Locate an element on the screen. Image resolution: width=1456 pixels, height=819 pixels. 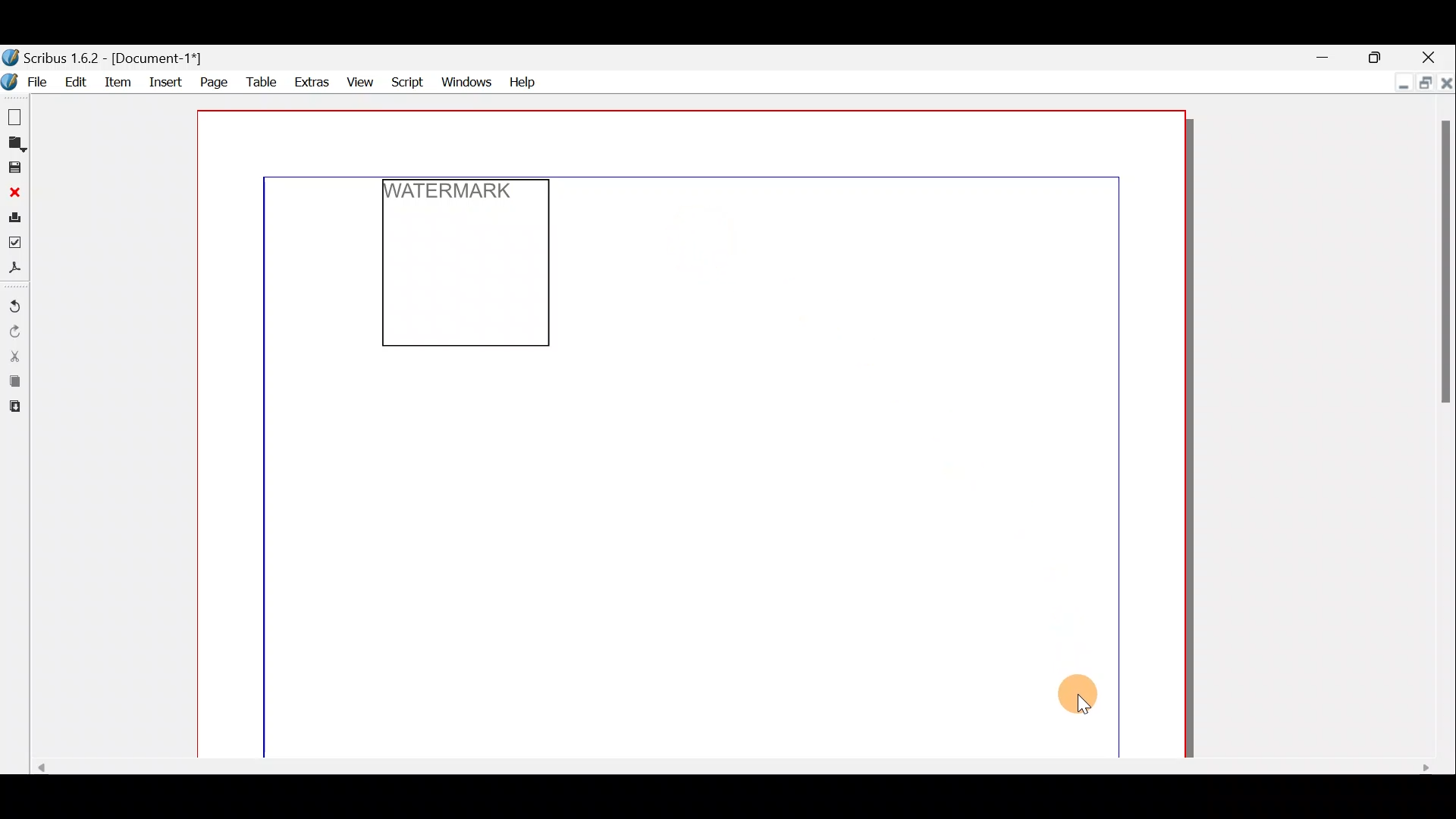
Table is located at coordinates (260, 83).